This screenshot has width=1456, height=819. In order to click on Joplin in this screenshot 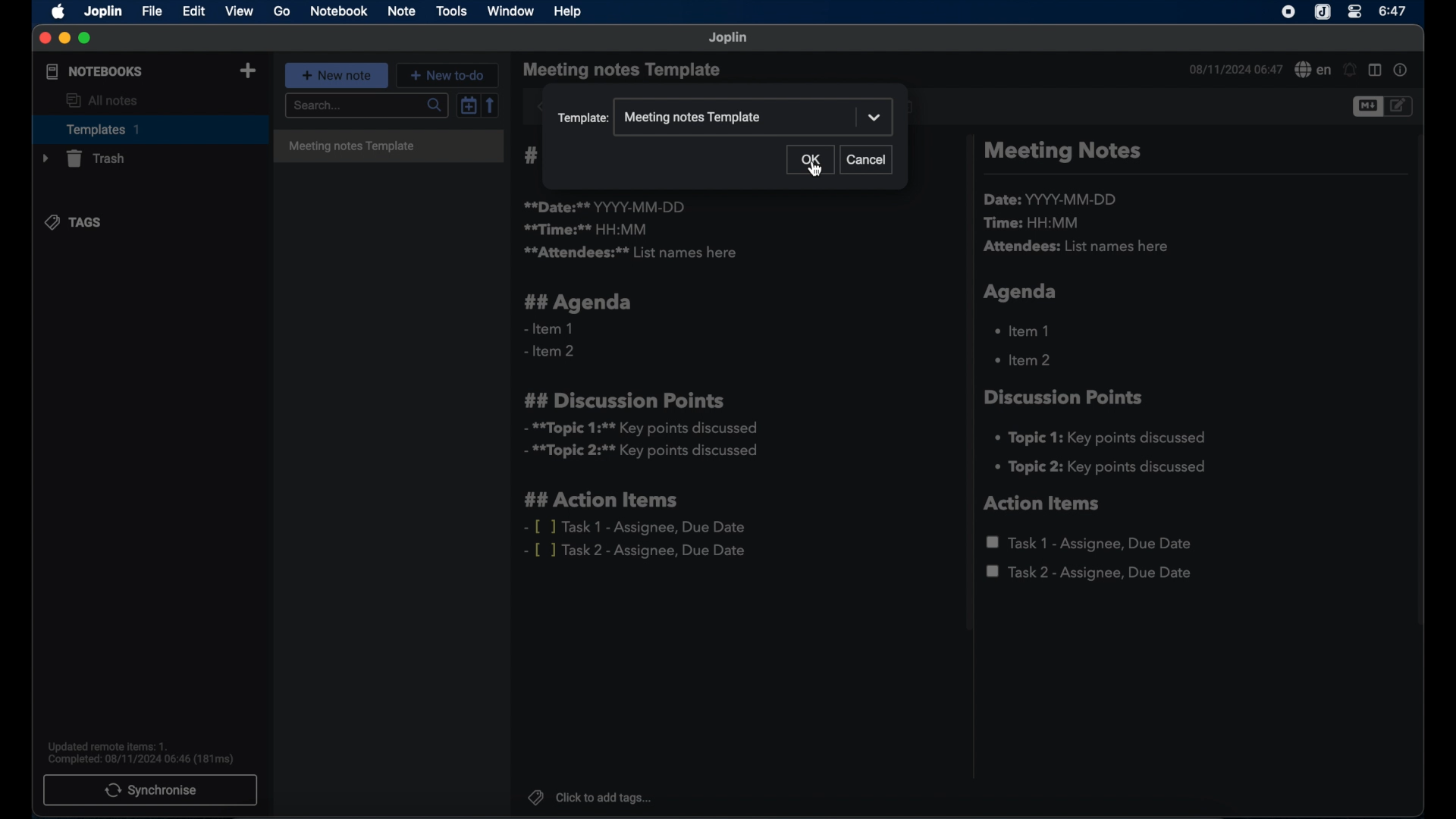, I will do `click(102, 11)`.